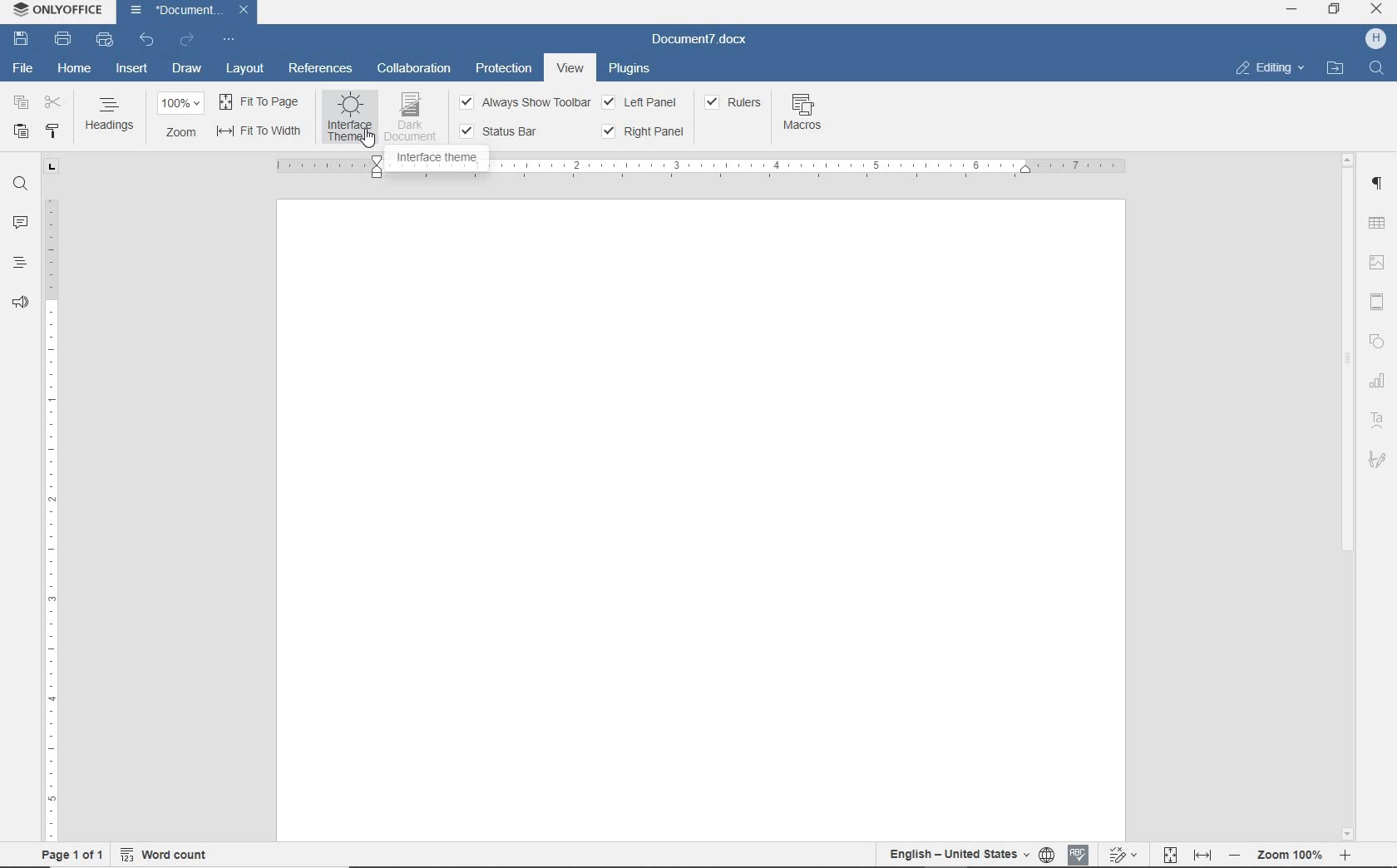 This screenshot has height=868, width=1397. What do you see at coordinates (957, 854) in the screenshot?
I see `TEXT LANGUAGE` at bounding box center [957, 854].